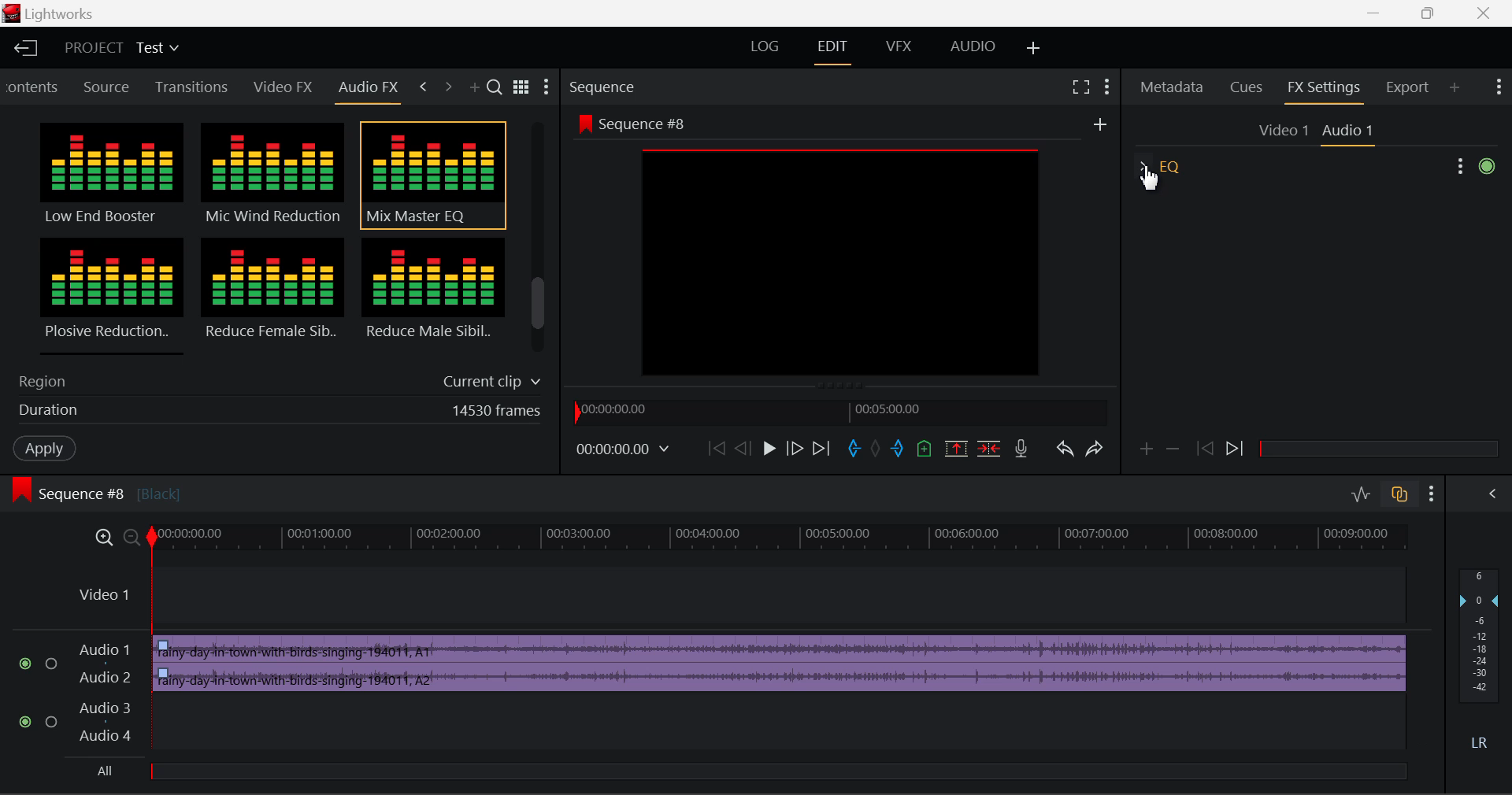 This screenshot has height=795, width=1512. I want to click on Add, so click(1100, 125).